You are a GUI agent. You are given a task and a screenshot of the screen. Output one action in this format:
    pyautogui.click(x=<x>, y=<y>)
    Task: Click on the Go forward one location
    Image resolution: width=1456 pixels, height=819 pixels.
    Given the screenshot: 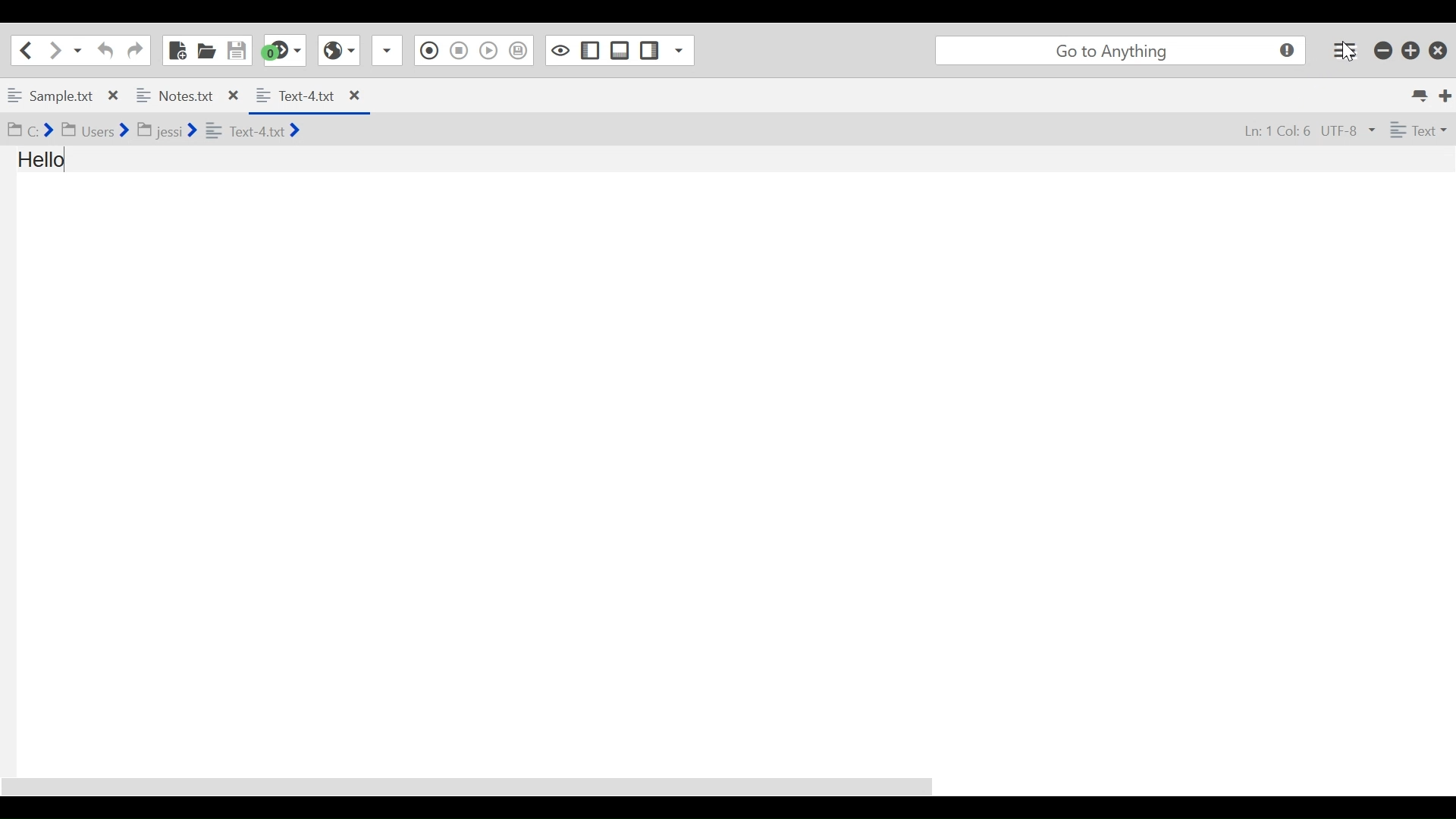 What is the action you would take?
    pyautogui.click(x=52, y=50)
    